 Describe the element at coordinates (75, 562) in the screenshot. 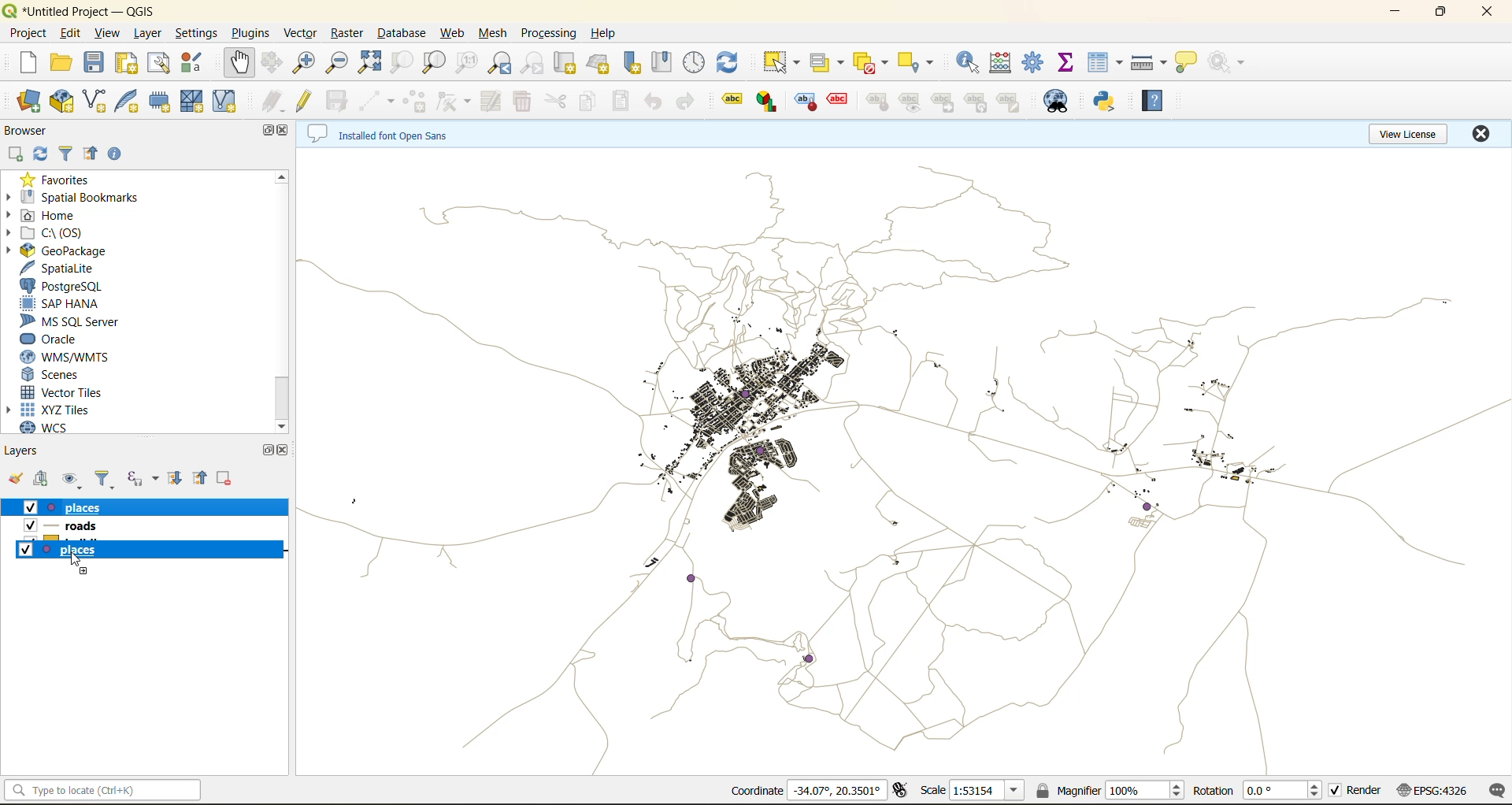

I see `cursor` at that location.